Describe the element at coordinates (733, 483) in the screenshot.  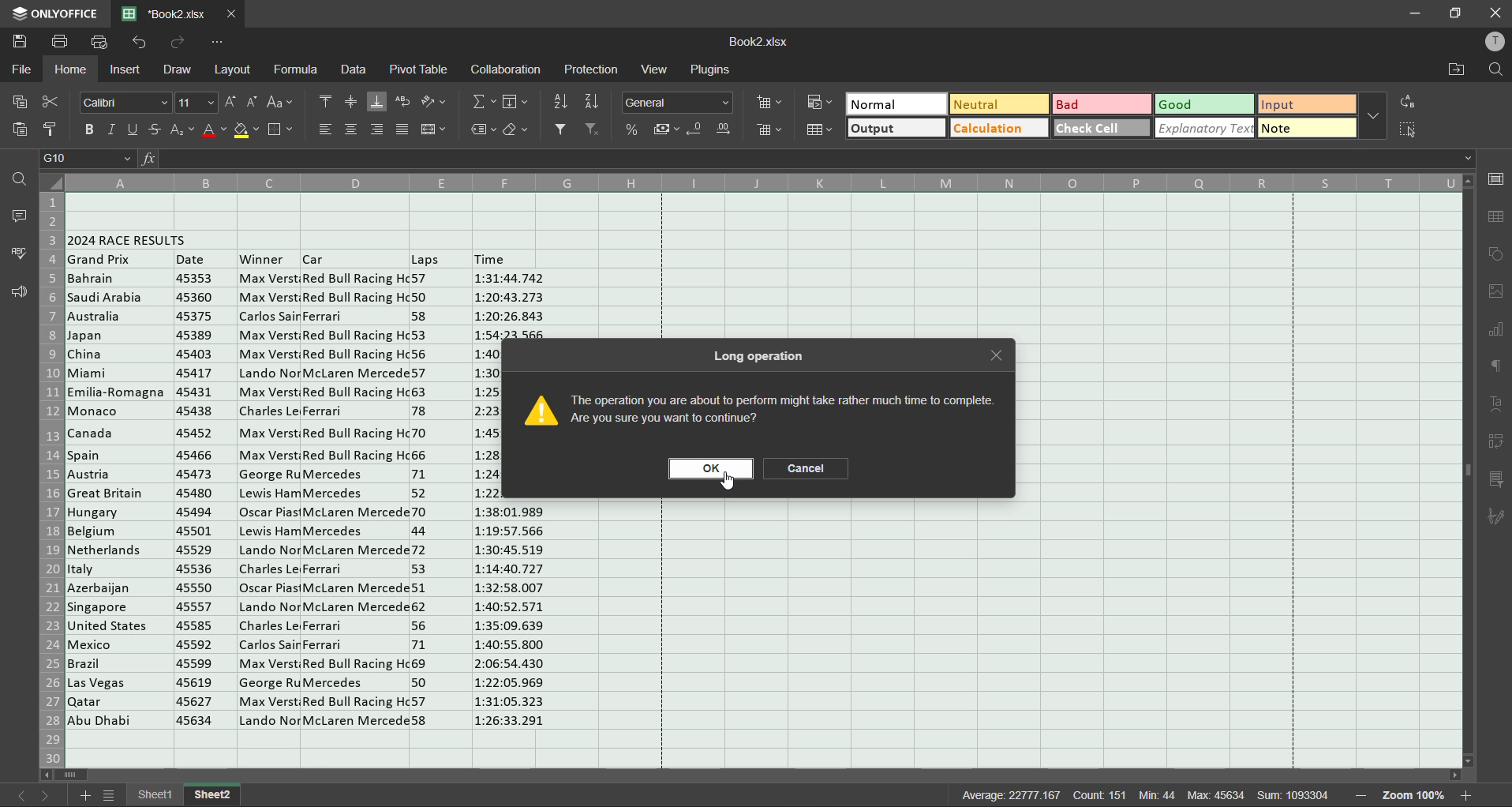
I see `cursor` at that location.